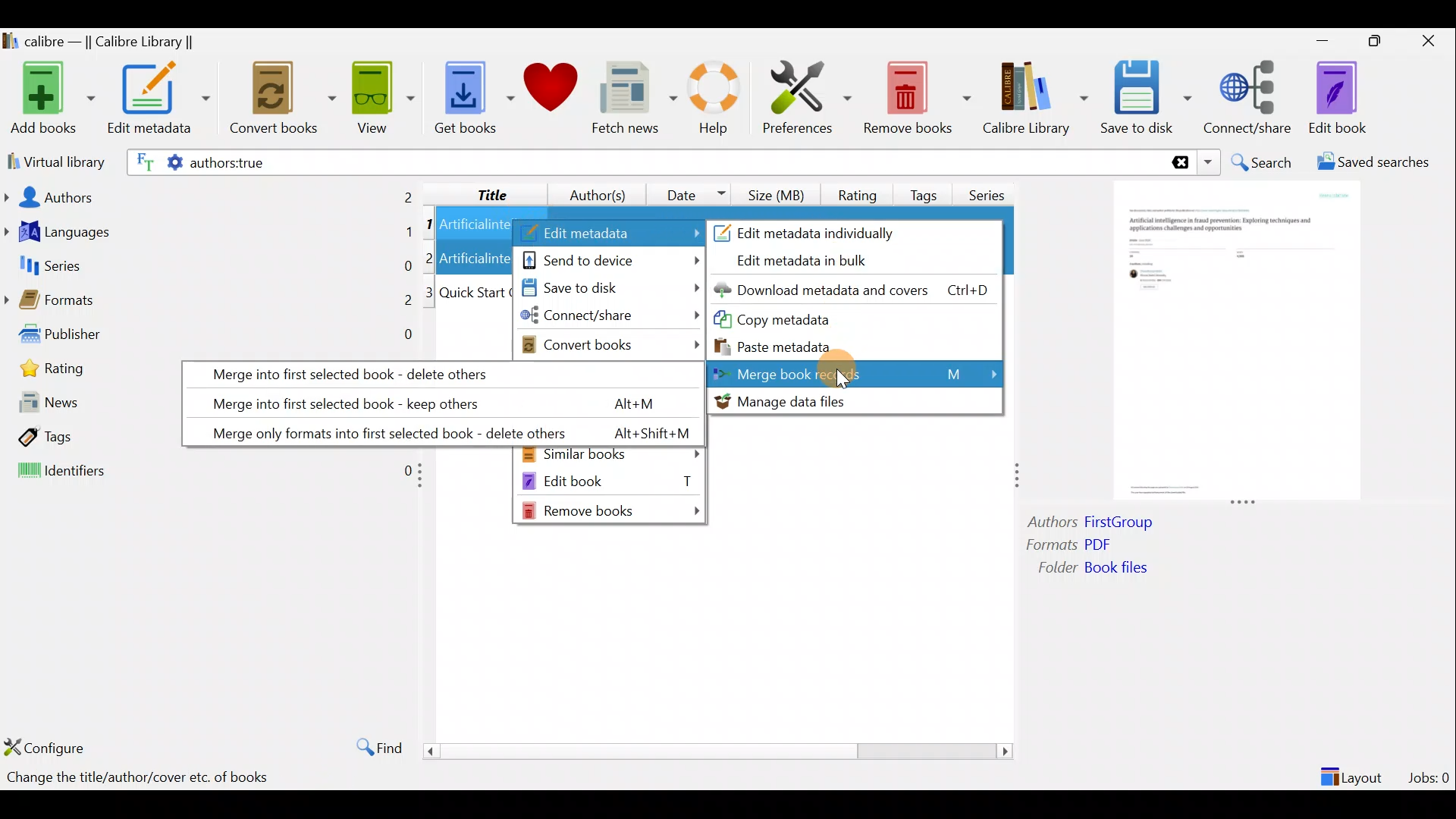  Describe the element at coordinates (137, 779) in the screenshot. I see `Change the title/author/cover etc. of books` at that location.